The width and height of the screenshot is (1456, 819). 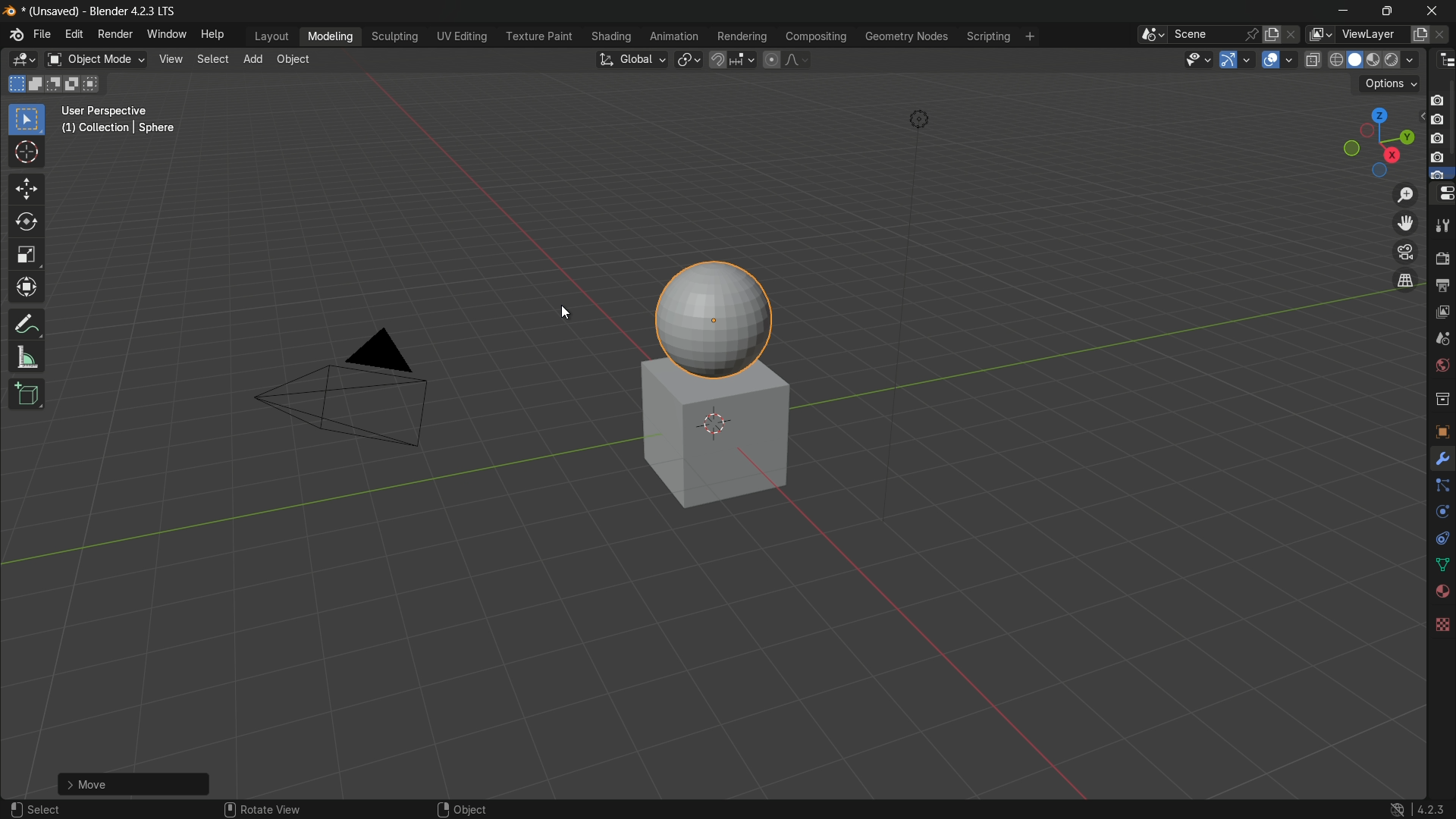 I want to click on scripting menu, so click(x=987, y=36).